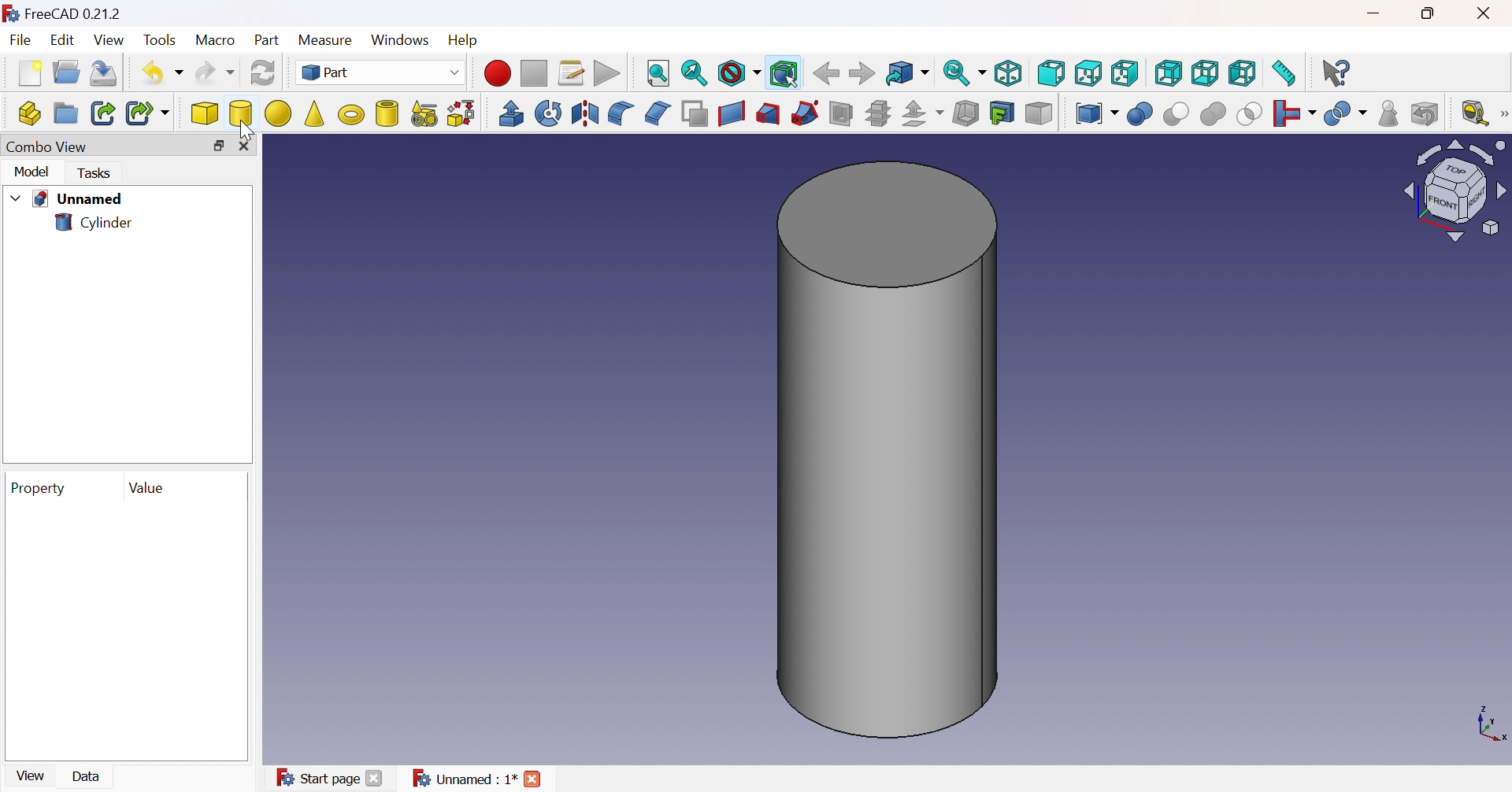 The width and height of the screenshot is (1512, 792). What do you see at coordinates (329, 41) in the screenshot?
I see `Measure` at bounding box center [329, 41].